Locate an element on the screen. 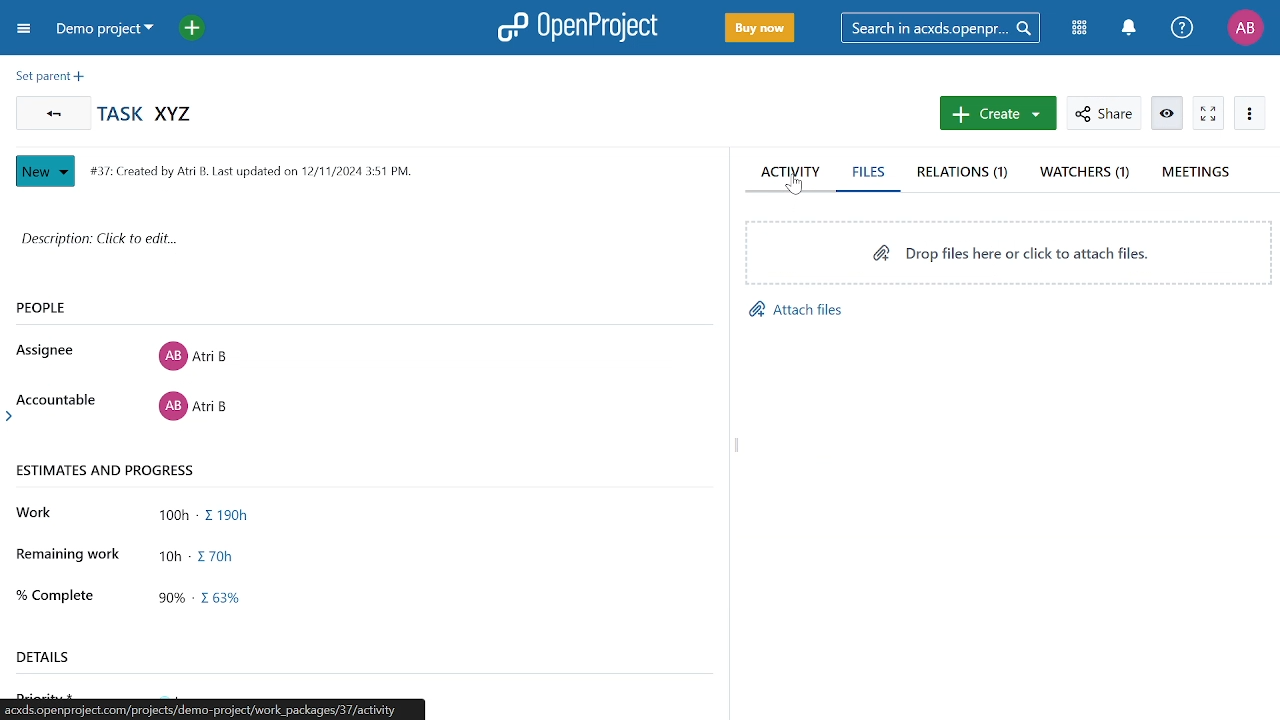 The width and height of the screenshot is (1280, 720). Unwatch workpackage is located at coordinates (1167, 113).